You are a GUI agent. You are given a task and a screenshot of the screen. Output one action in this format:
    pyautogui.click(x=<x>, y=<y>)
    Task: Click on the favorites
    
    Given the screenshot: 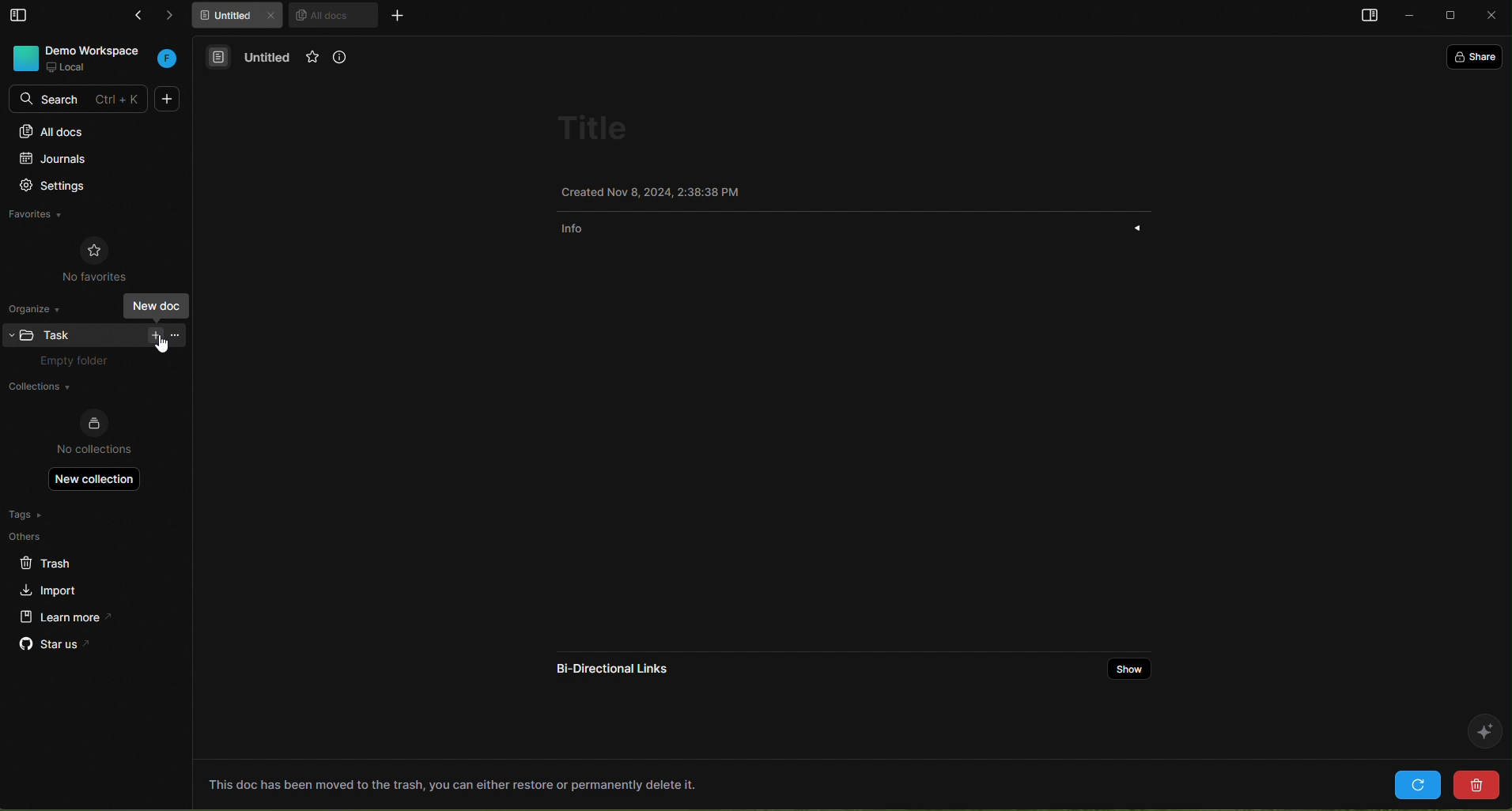 What is the action you would take?
    pyautogui.click(x=51, y=217)
    